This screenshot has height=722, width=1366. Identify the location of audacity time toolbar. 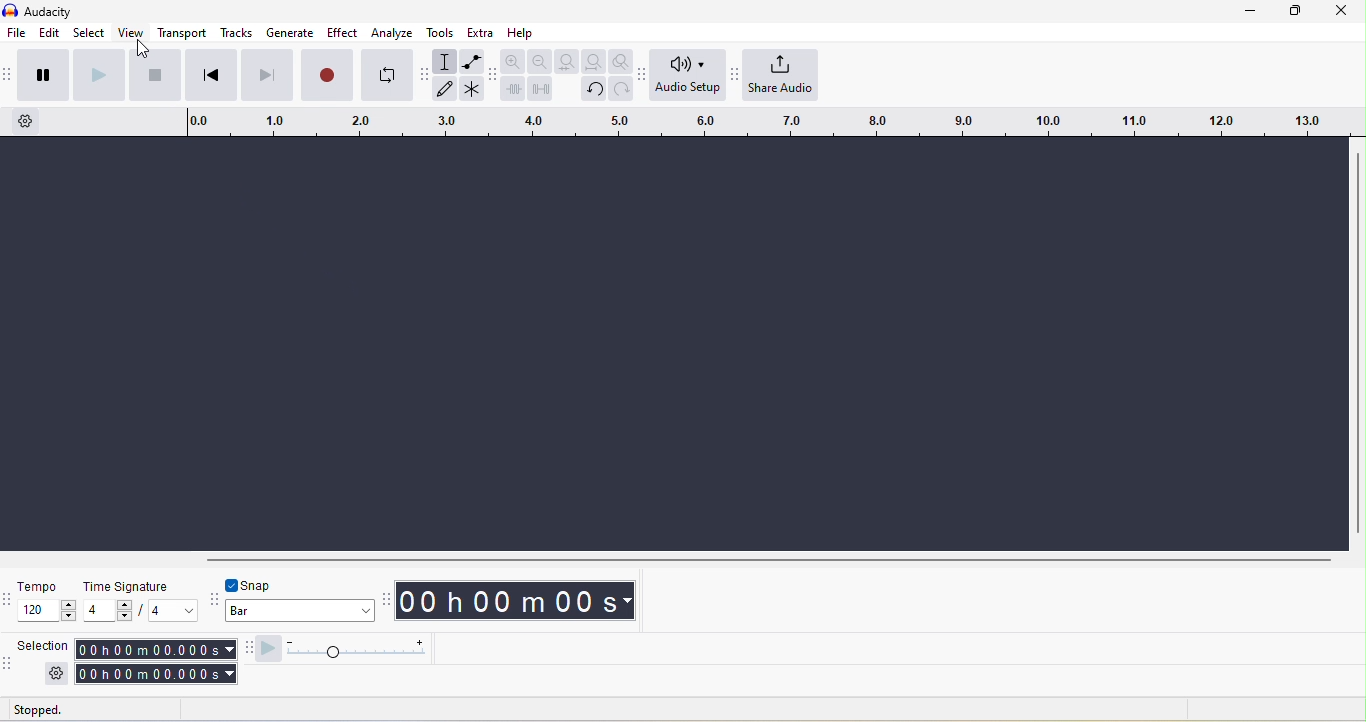
(384, 602).